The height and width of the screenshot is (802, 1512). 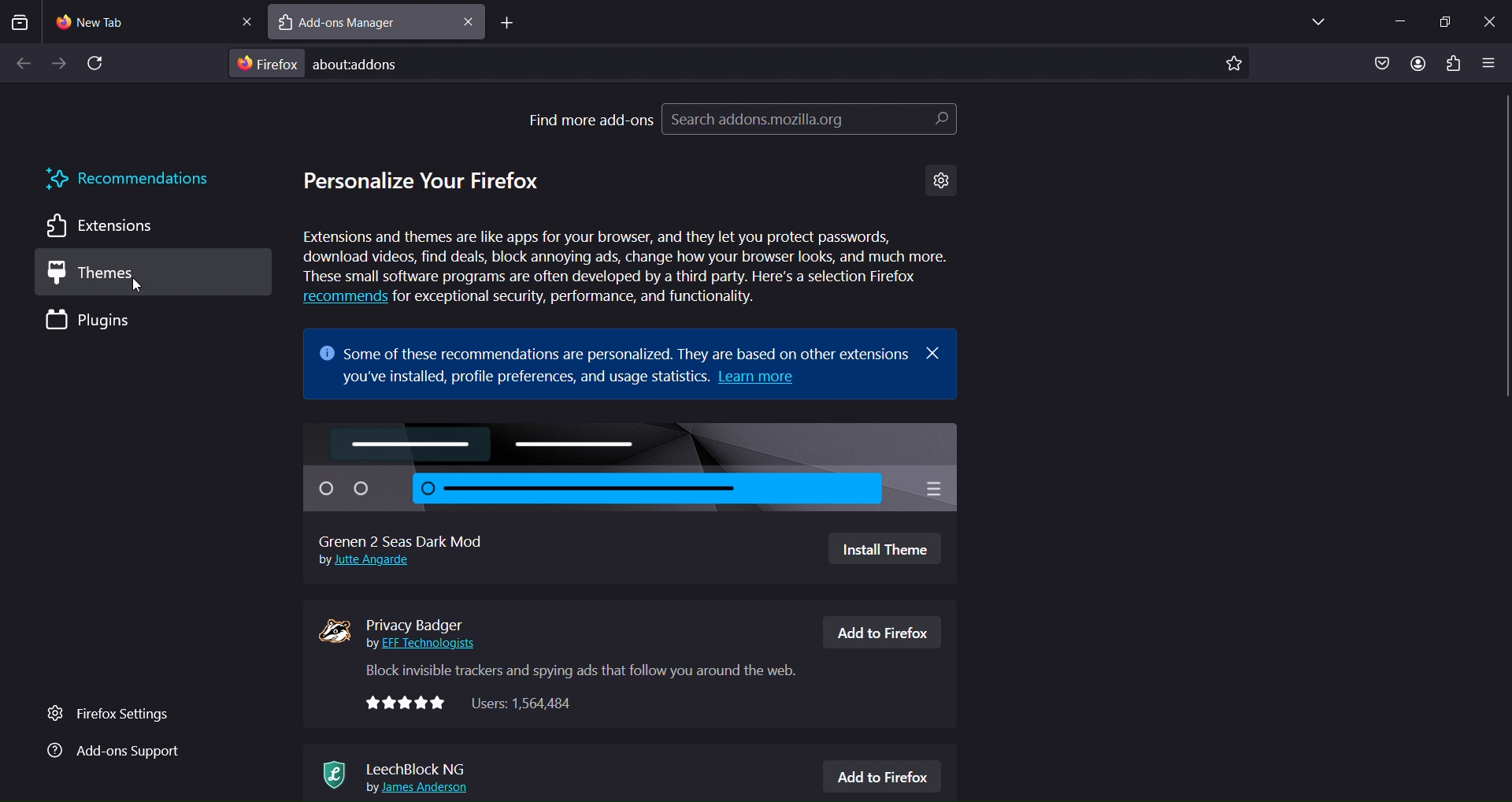 What do you see at coordinates (1490, 19) in the screenshot?
I see `close` at bounding box center [1490, 19].